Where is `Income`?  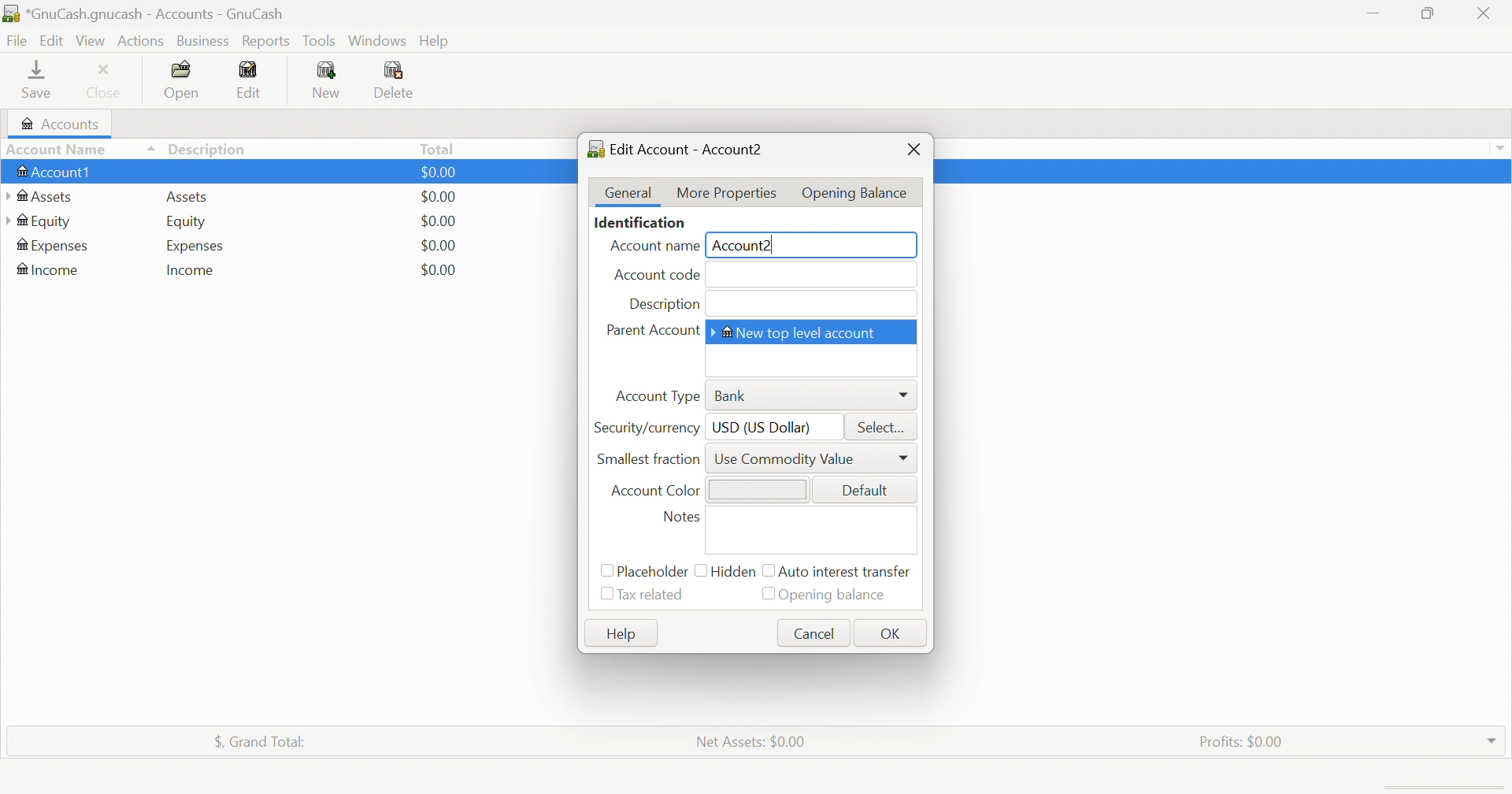 Income is located at coordinates (191, 273).